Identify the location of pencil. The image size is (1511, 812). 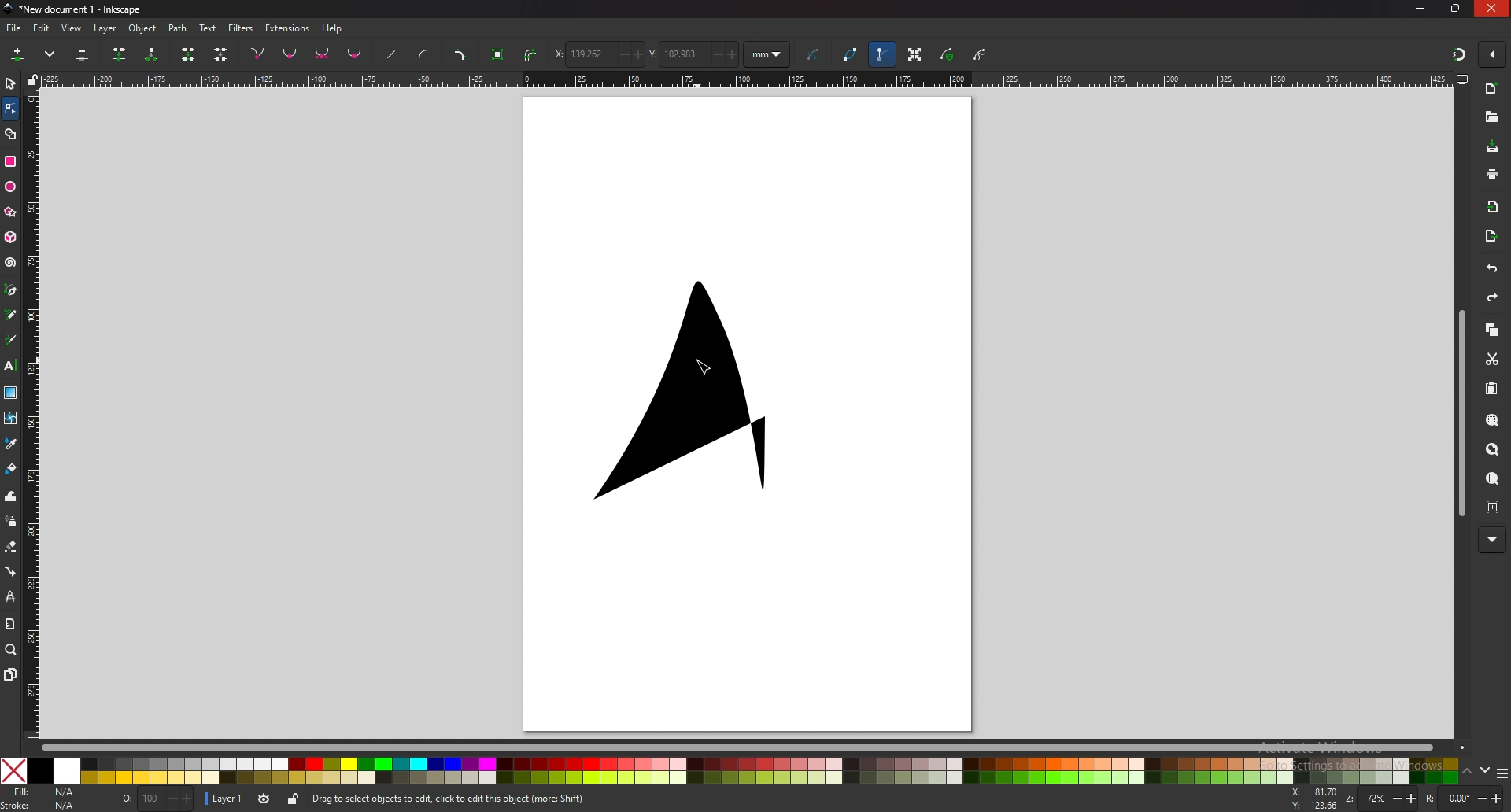
(13, 315).